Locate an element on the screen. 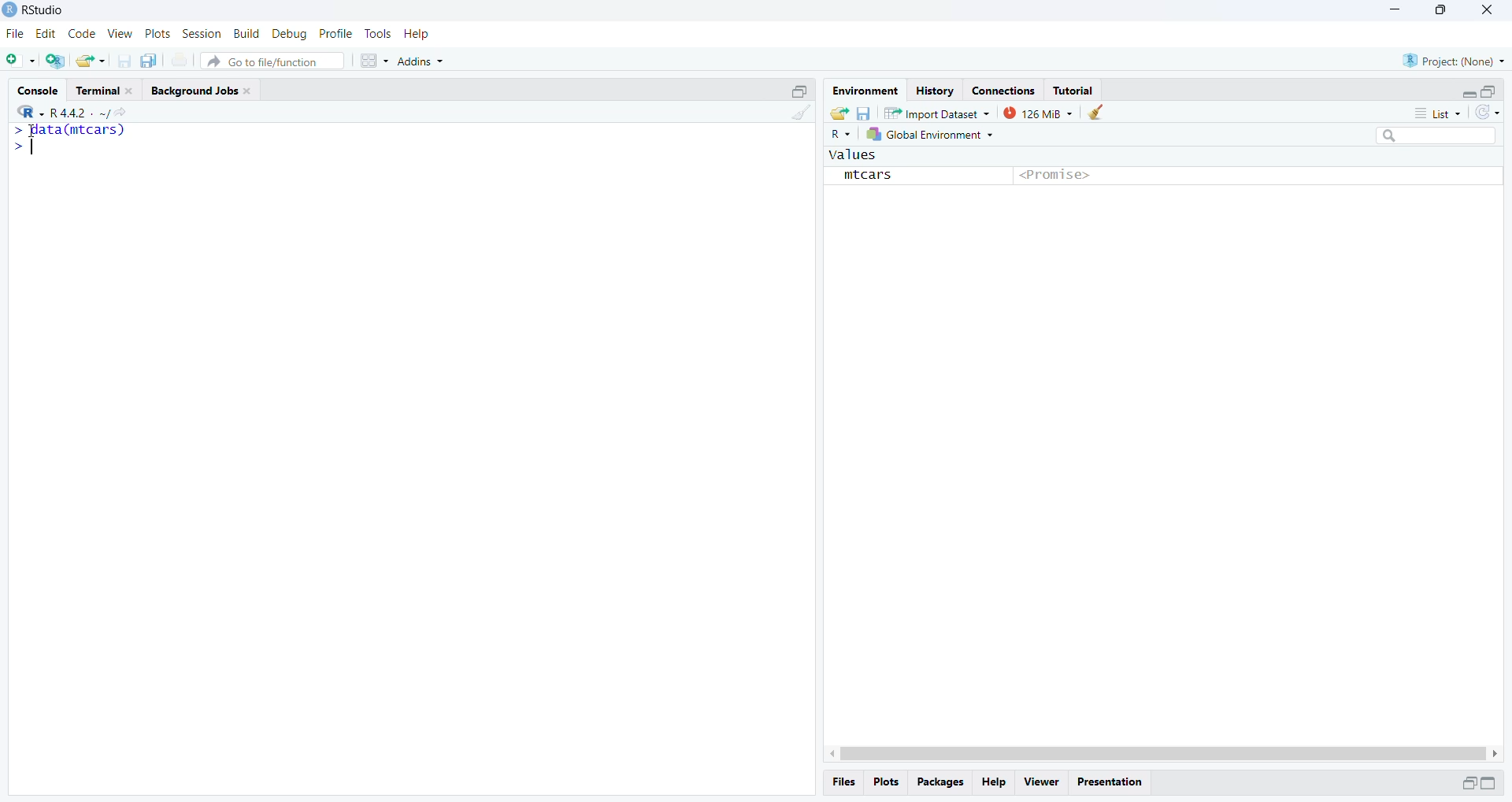 This screenshot has height=802, width=1512. Profile is located at coordinates (335, 34).